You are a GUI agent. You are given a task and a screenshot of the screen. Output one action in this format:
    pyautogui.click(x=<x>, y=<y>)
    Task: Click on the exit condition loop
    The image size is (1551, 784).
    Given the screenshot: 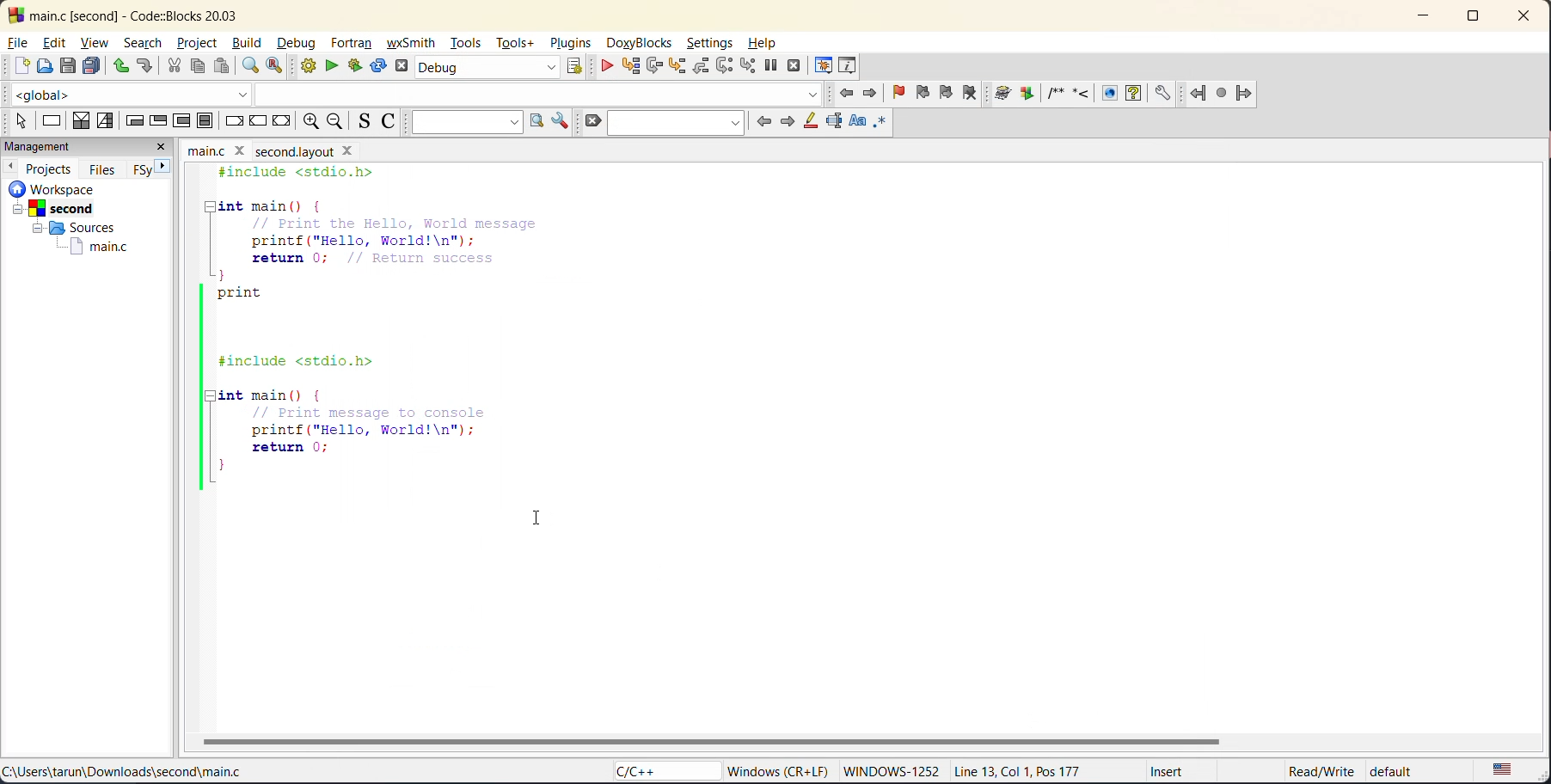 What is the action you would take?
    pyautogui.click(x=161, y=119)
    